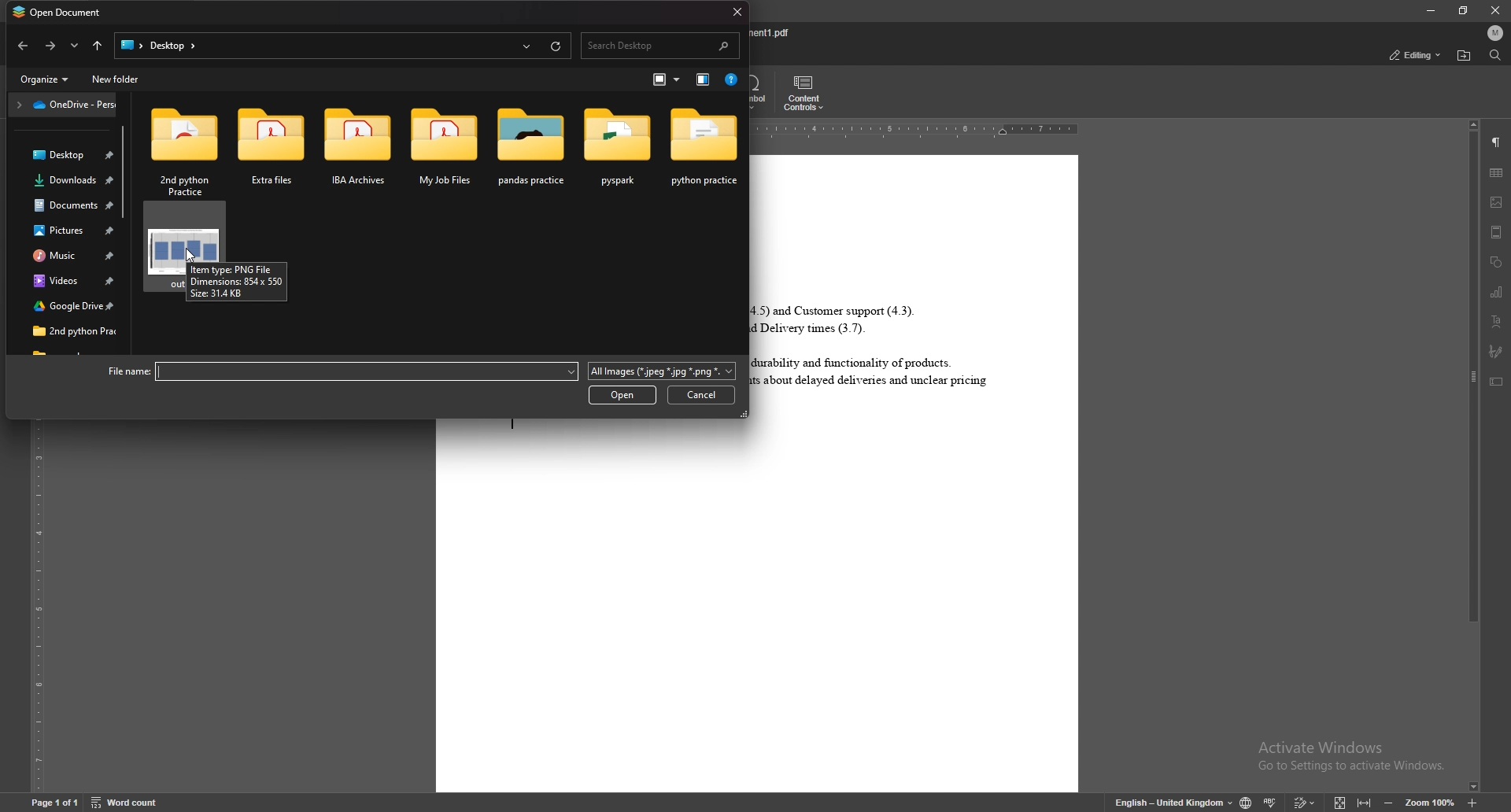 The width and height of the screenshot is (1511, 812). What do you see at coordinates (1497, 321) in the screenshot?
I see `text art` at bounding box center [1497, 321].